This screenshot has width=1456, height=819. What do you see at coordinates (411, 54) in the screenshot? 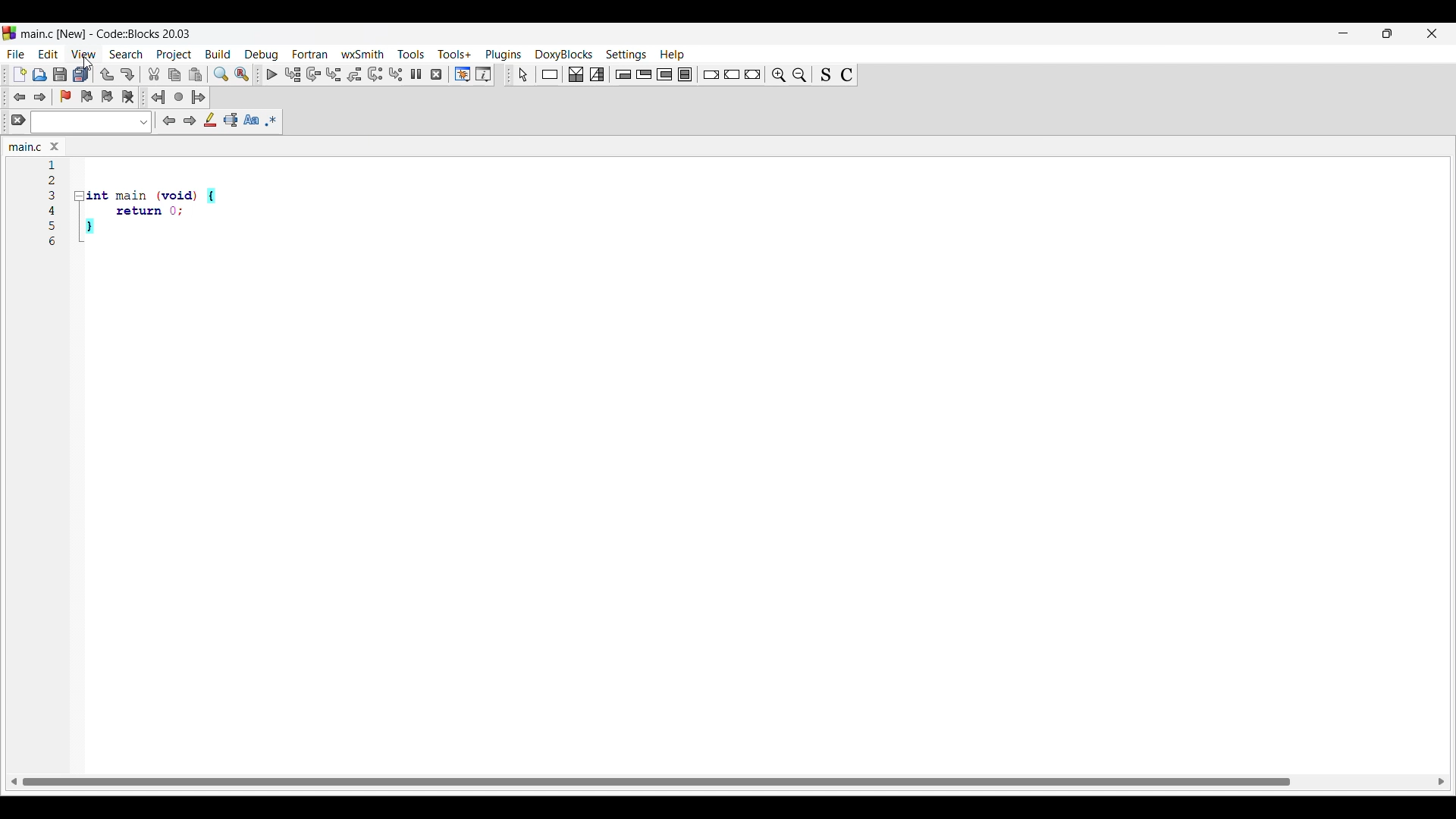
I see `Tools menu` at bounding box center [411, 54].